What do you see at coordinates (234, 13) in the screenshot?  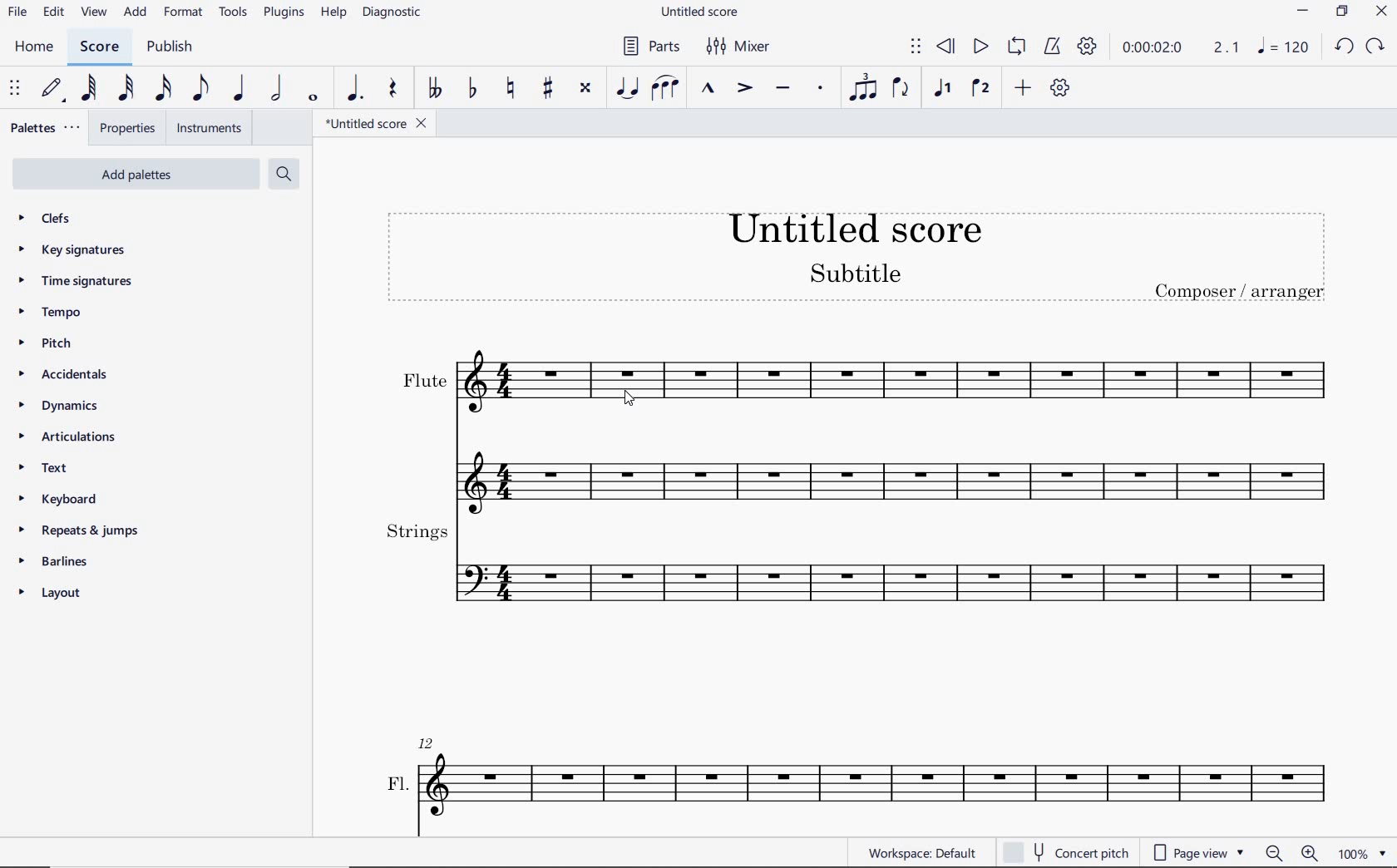 I see `TOOLS` at bounding box center [234, 13].